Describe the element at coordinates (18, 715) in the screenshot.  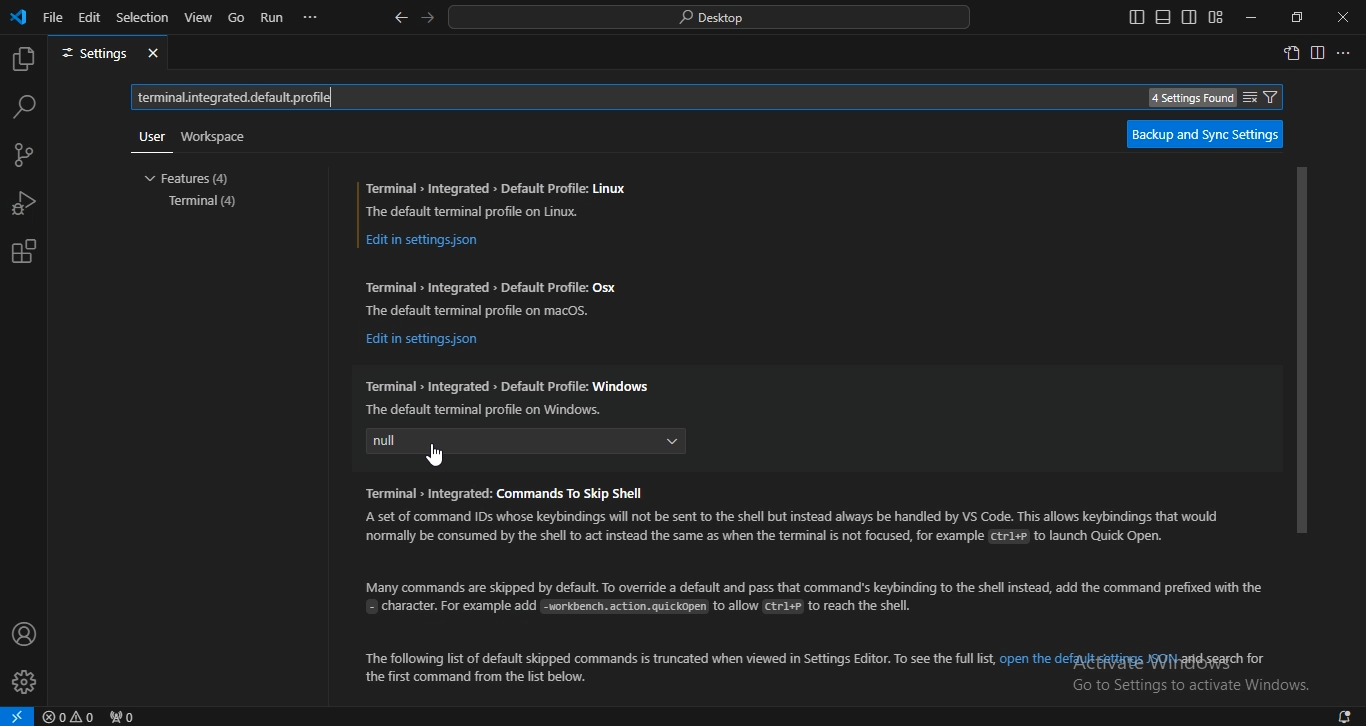
I see `open a remote window` at that location.